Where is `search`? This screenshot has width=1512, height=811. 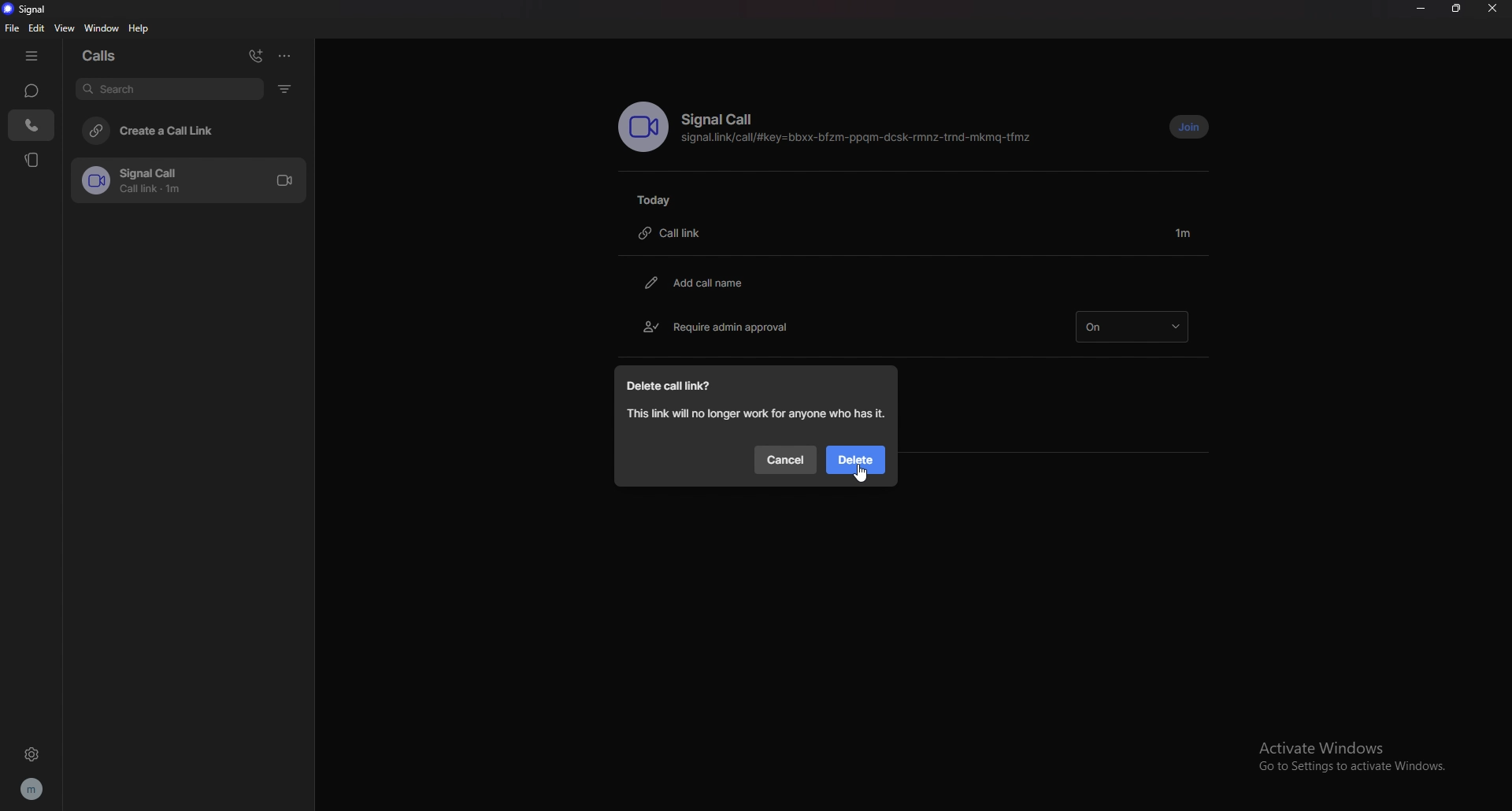
search is located at coordinates (169, 88).